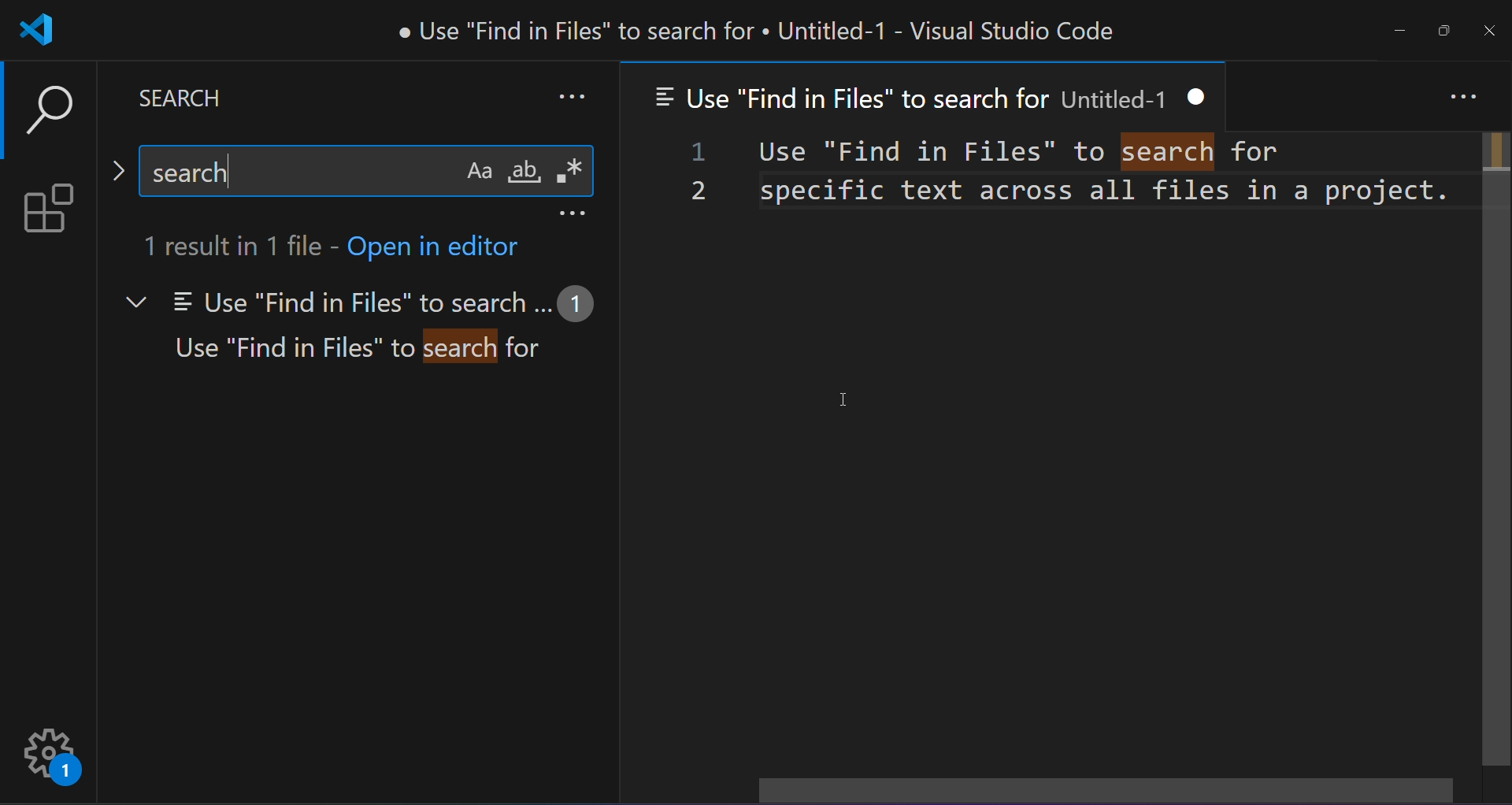 Image resolution: width=1512 pixels, height=805 pixels. What do you see at coordinates (1225, 97) in the screenshot?
I see `close tab` at bounding box center [1225, 97].